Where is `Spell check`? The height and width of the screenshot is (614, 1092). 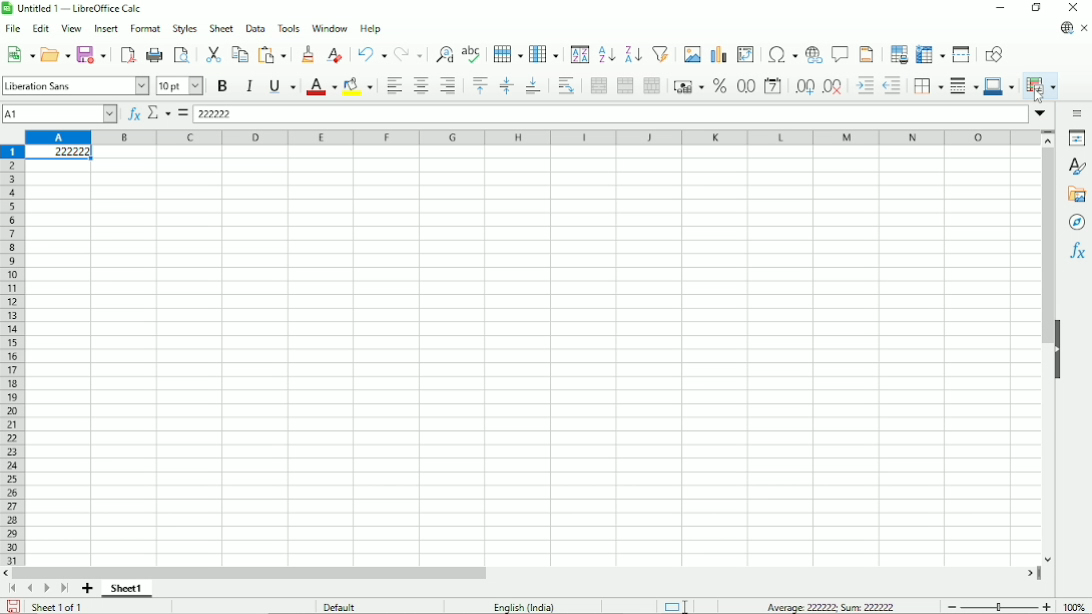 Spell check is located at coordinates (471, 53).